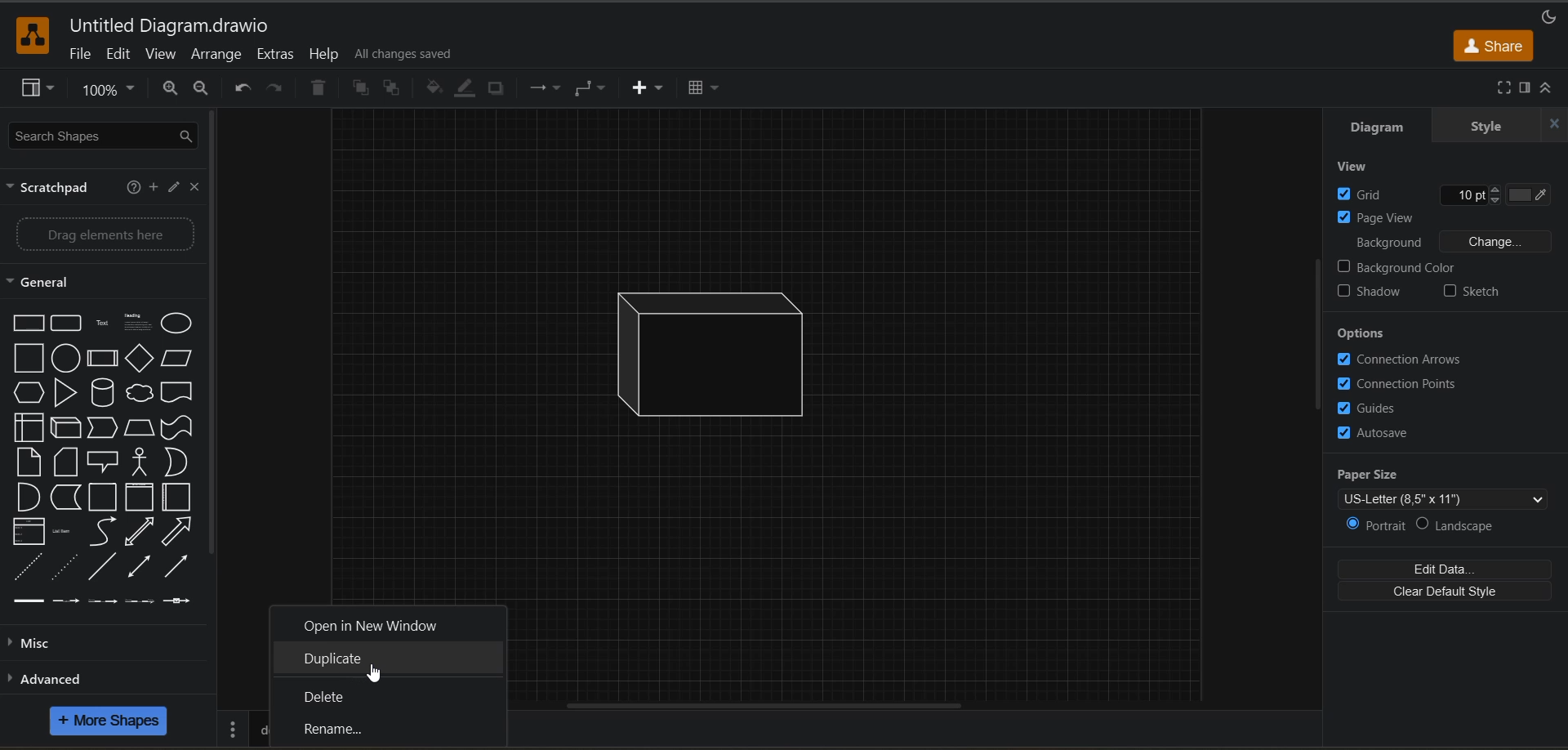  I want to click on connection arrows, so click(1402, 360).